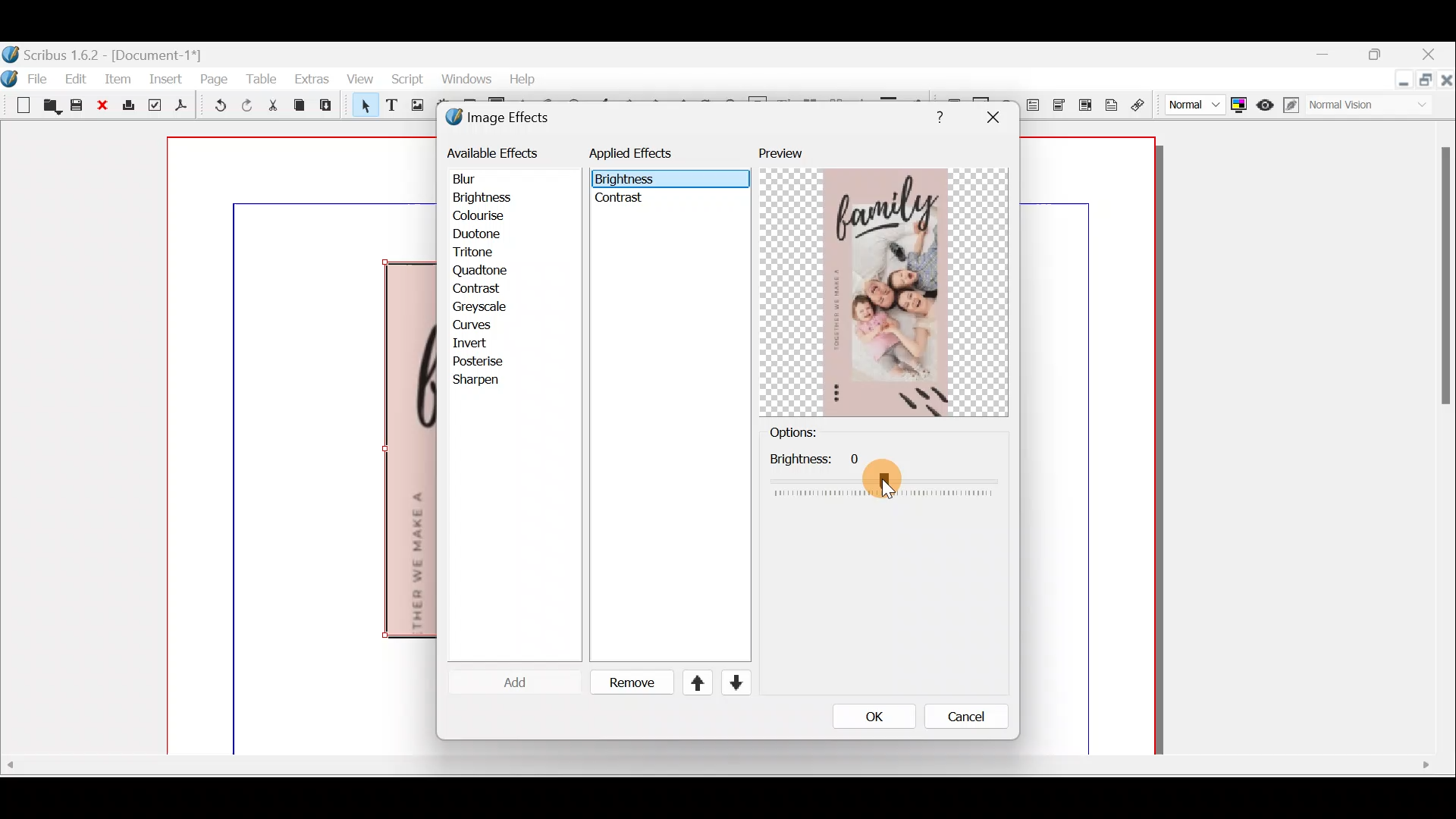 Image resolution: width=1456 pixels, height=819 pixels. What do you see at coordinates (359, 80) in the screenshot?
I see `View` at bounding box center [359, 80].